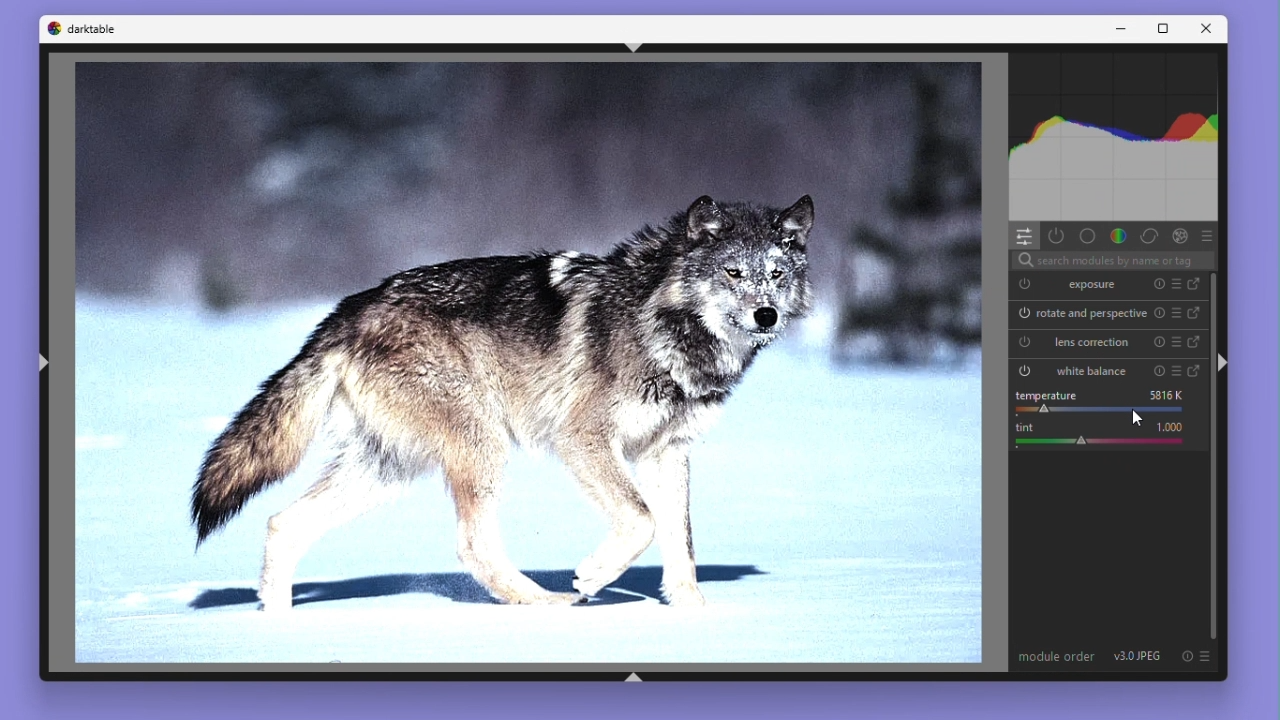 Image resolution: width=1280 pixels, height=720 pixels. I want to click on Correct, so click(1149, 235).